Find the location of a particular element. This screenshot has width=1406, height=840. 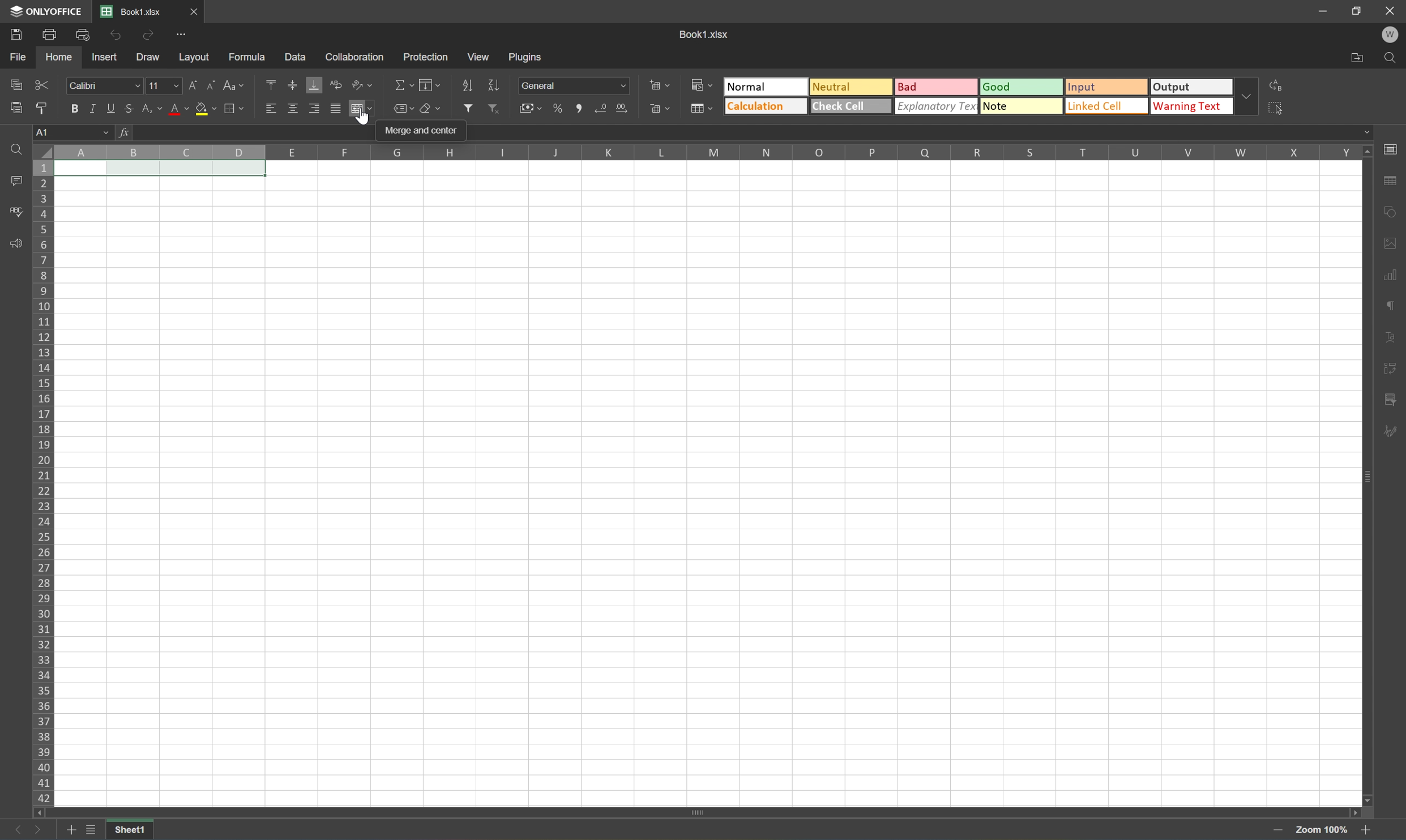

Restore down is located at coordinates (1357, 11).